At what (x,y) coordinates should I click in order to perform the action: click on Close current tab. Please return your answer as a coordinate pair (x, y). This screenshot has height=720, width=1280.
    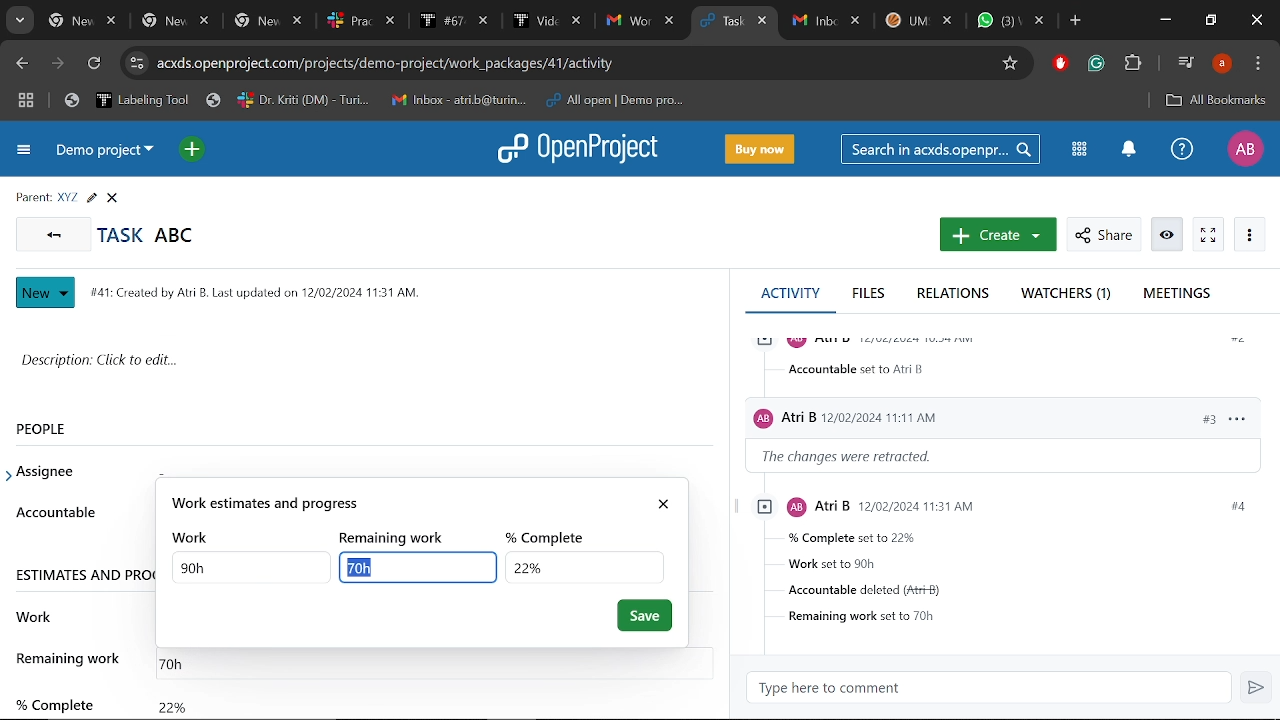
    Looking at the image, I should click on (764, 23).